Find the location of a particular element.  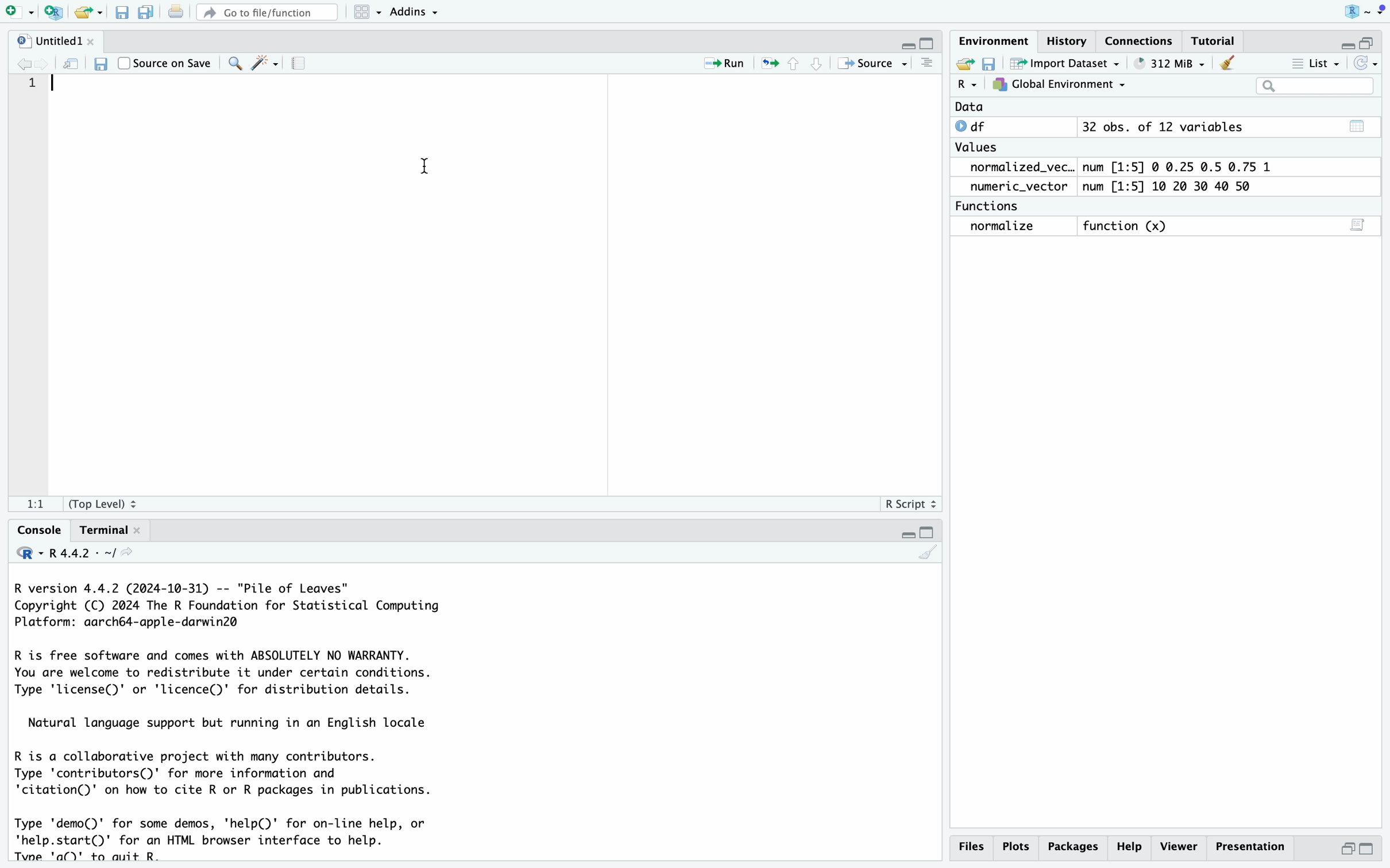

+» Source - is located at coordinates (871, 64).